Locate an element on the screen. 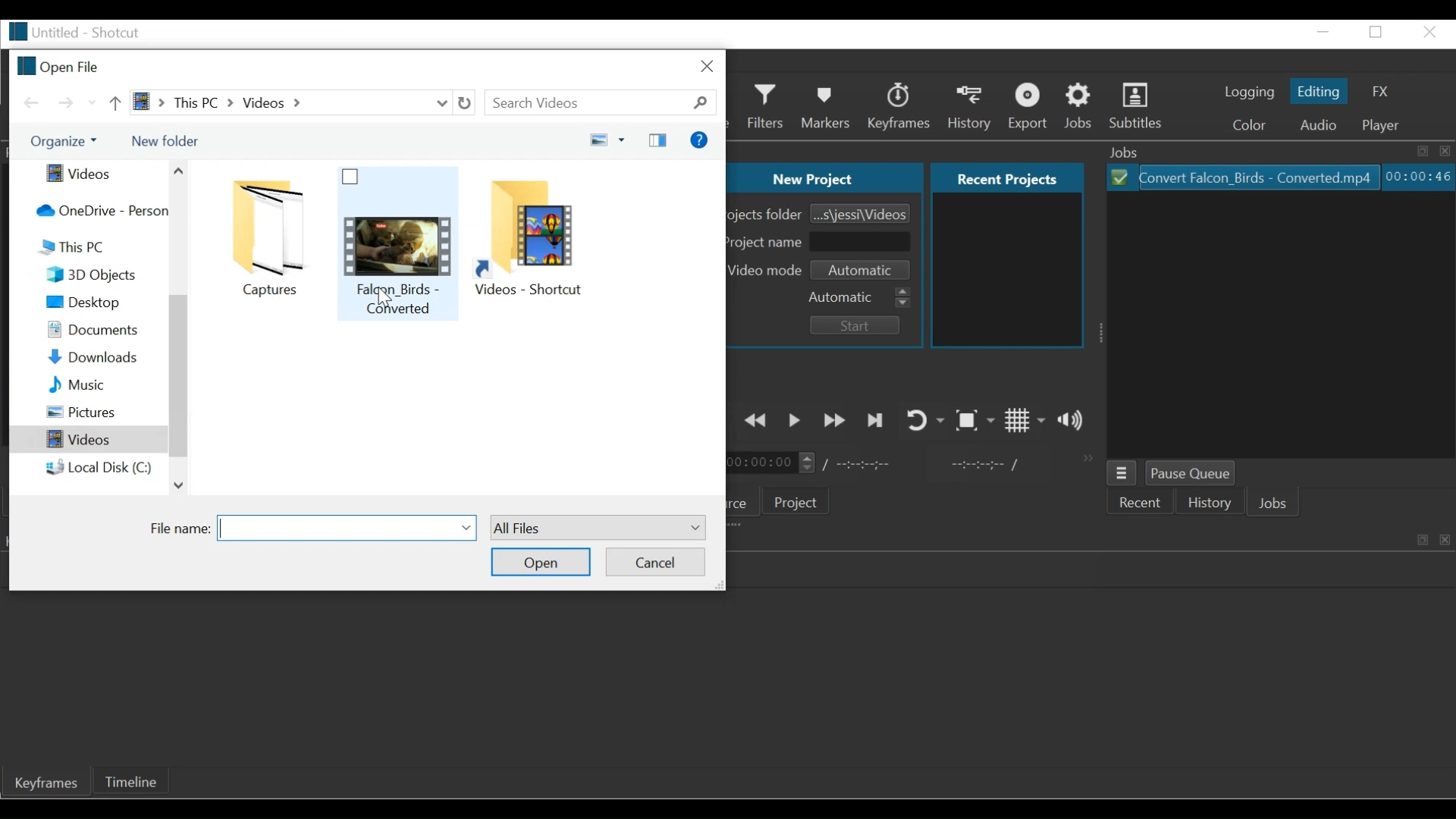 The image size is (1456, 819). Recent projects is located at coordinates (1007, 273).